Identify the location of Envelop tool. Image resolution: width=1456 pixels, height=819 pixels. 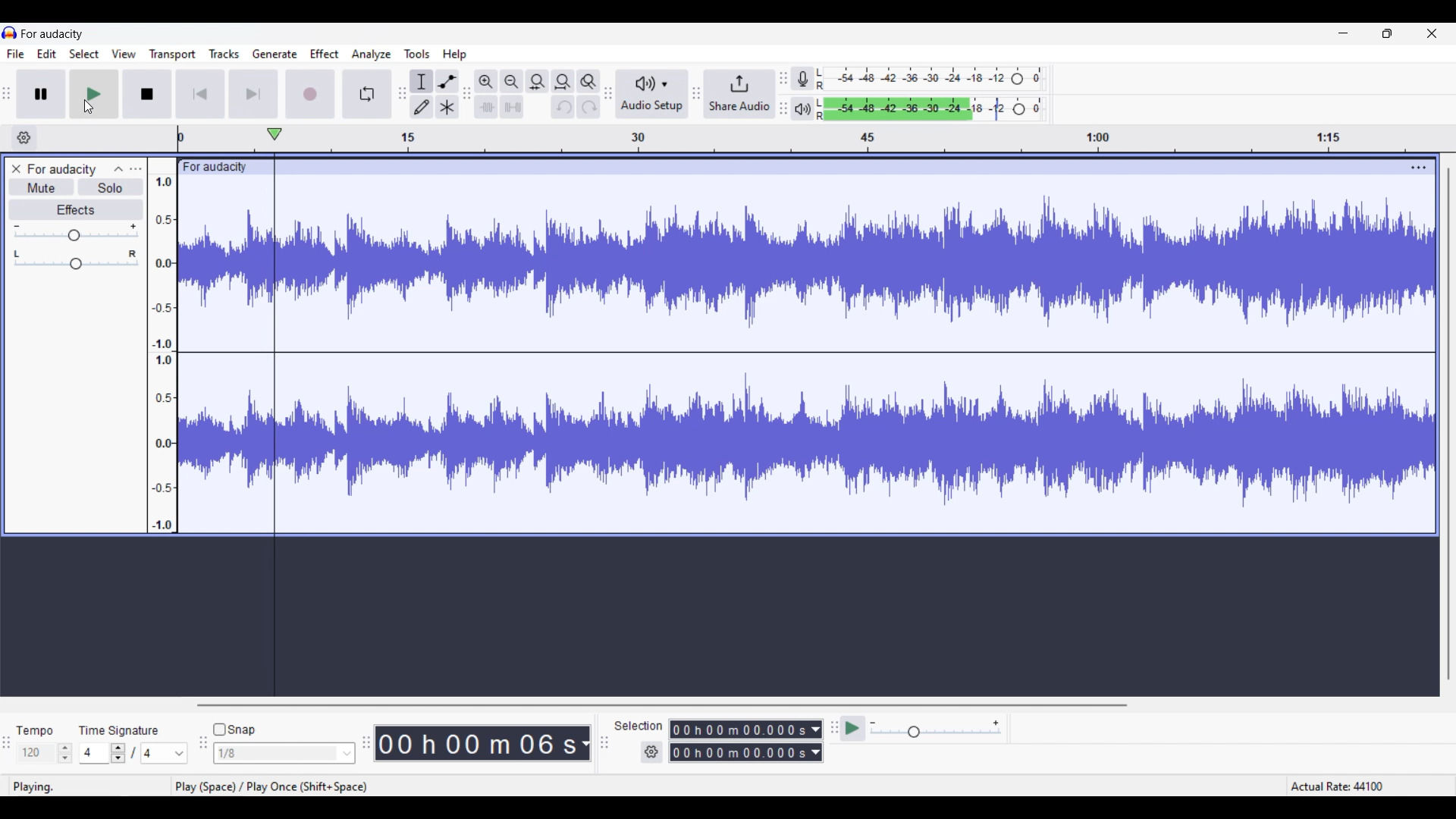
(447, 81).